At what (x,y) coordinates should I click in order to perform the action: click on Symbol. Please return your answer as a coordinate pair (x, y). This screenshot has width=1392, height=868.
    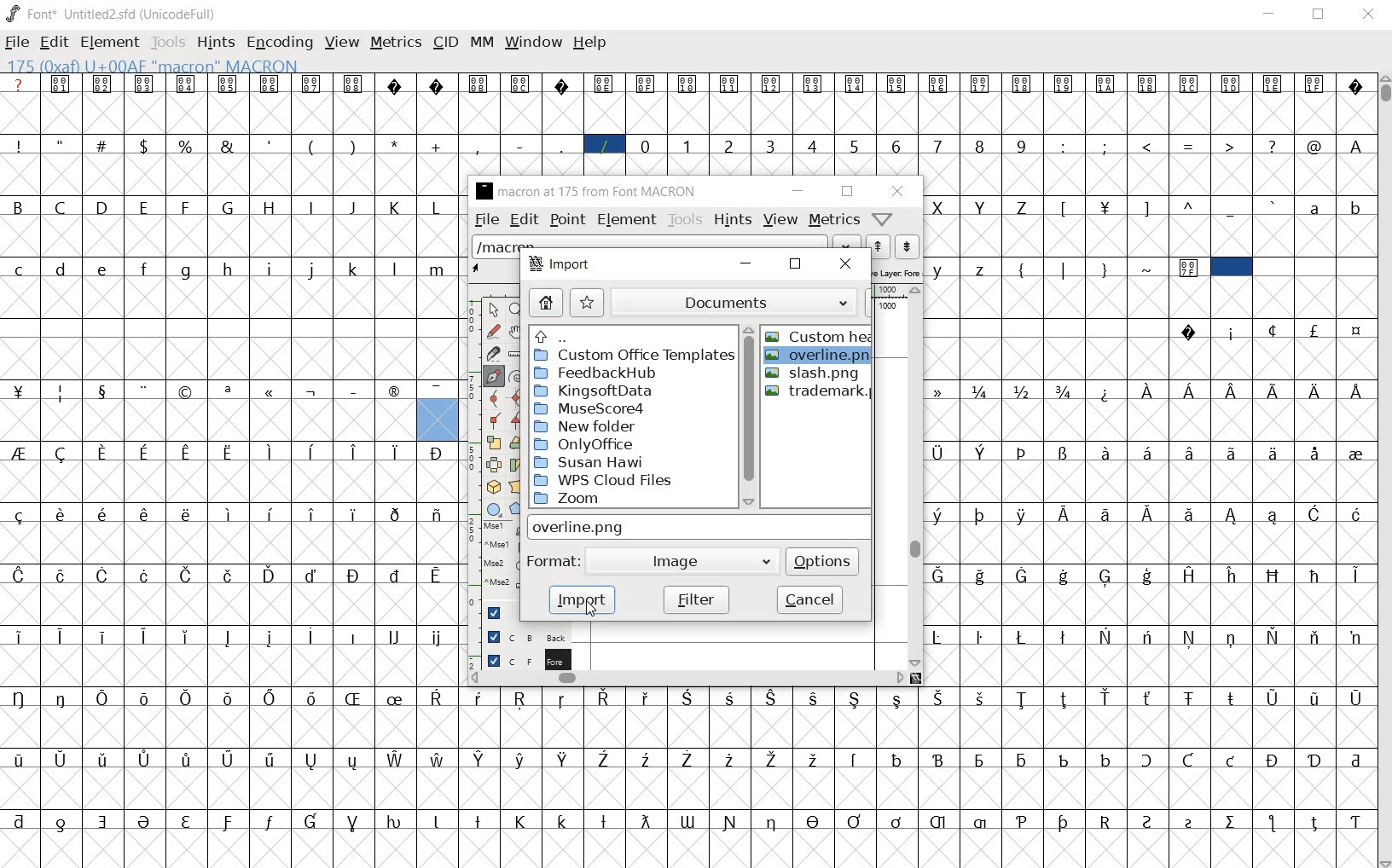
    Looking at the image, I should click on (439, 819).